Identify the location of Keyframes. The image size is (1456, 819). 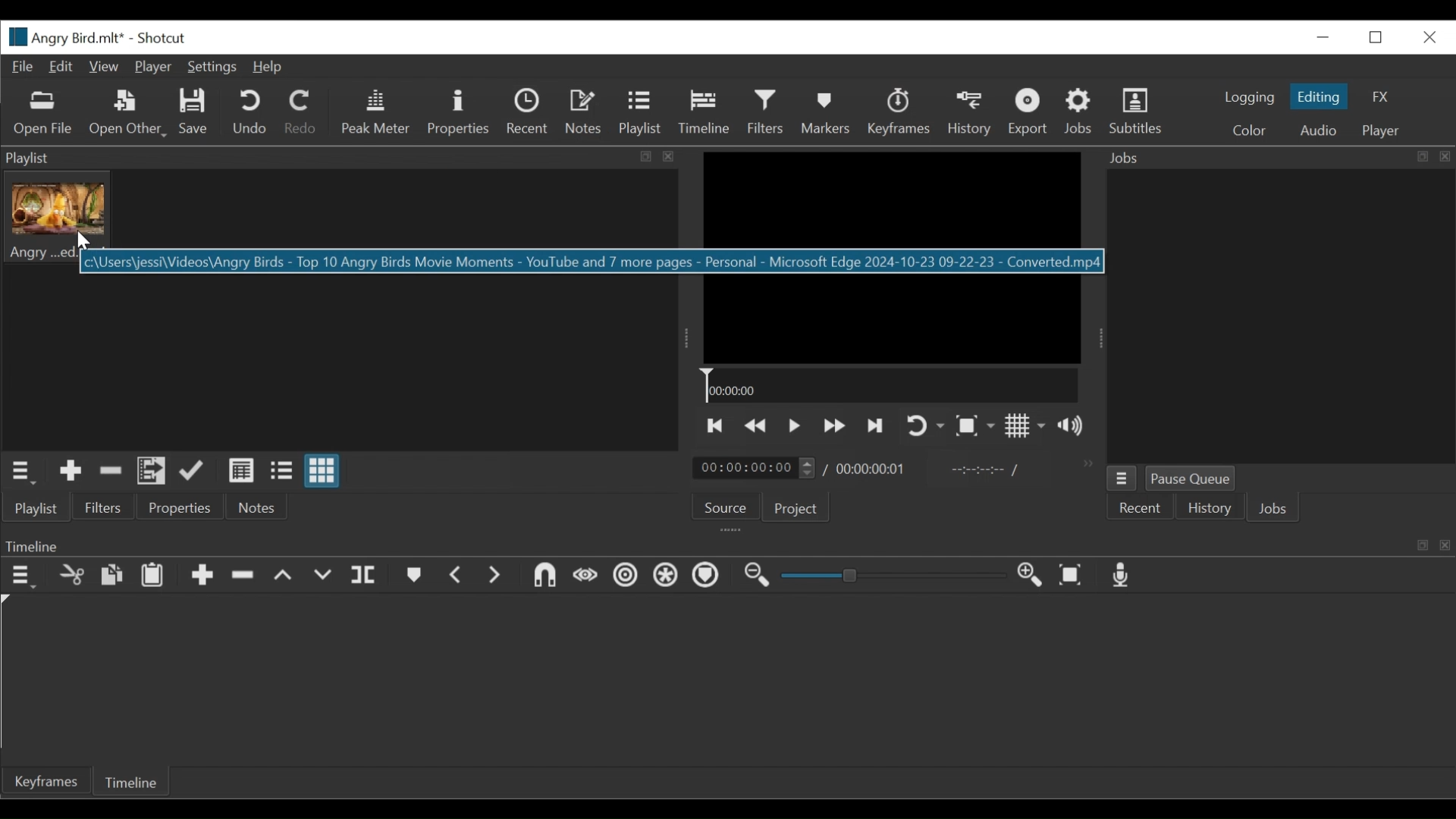
(899, 111).